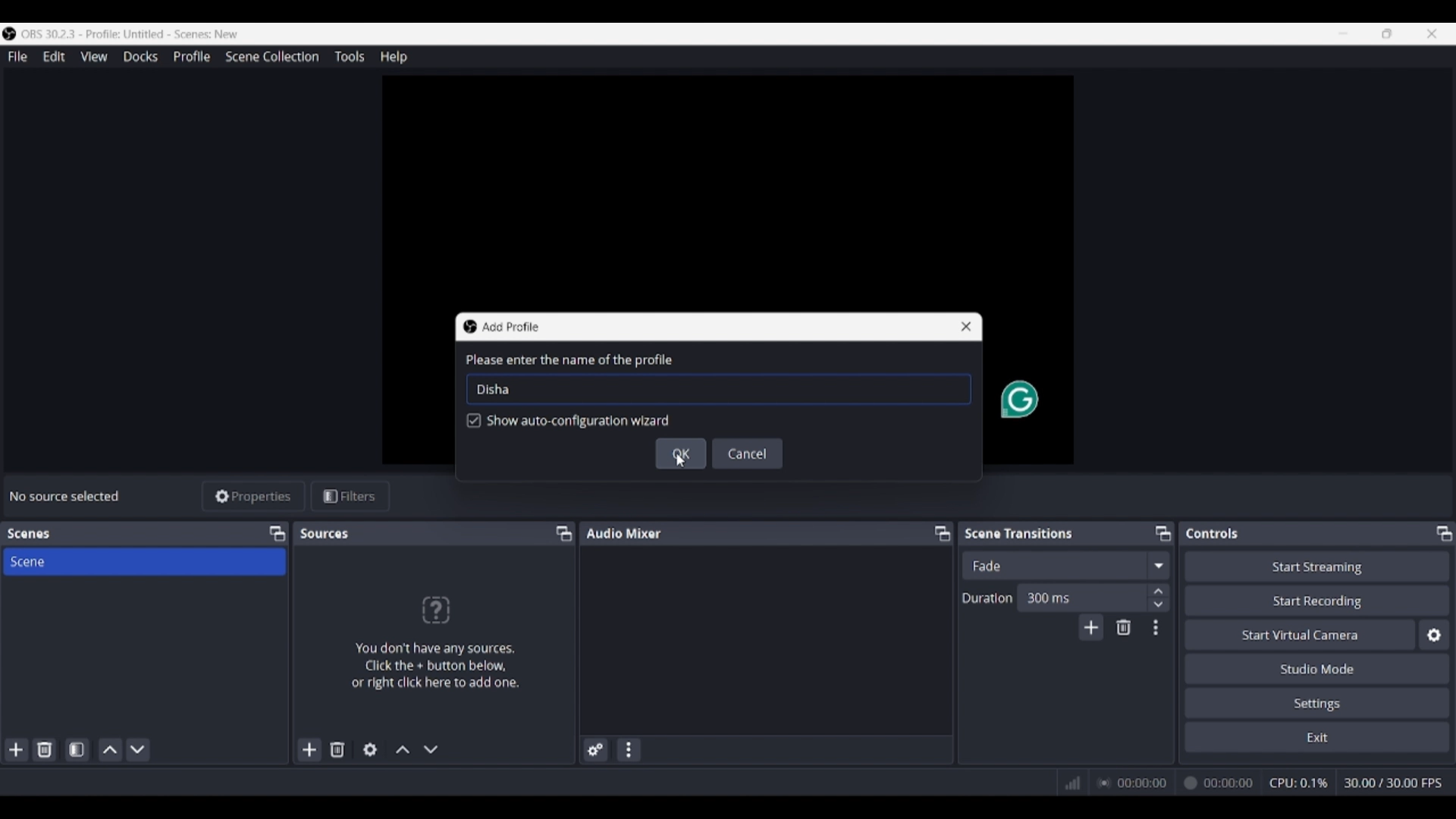 The width and height of the screenshot is (1456, 819). What do you see at coordinates (137, 750) in the screenshot?
I see `Move scene down` at bounding box center [137, 750].